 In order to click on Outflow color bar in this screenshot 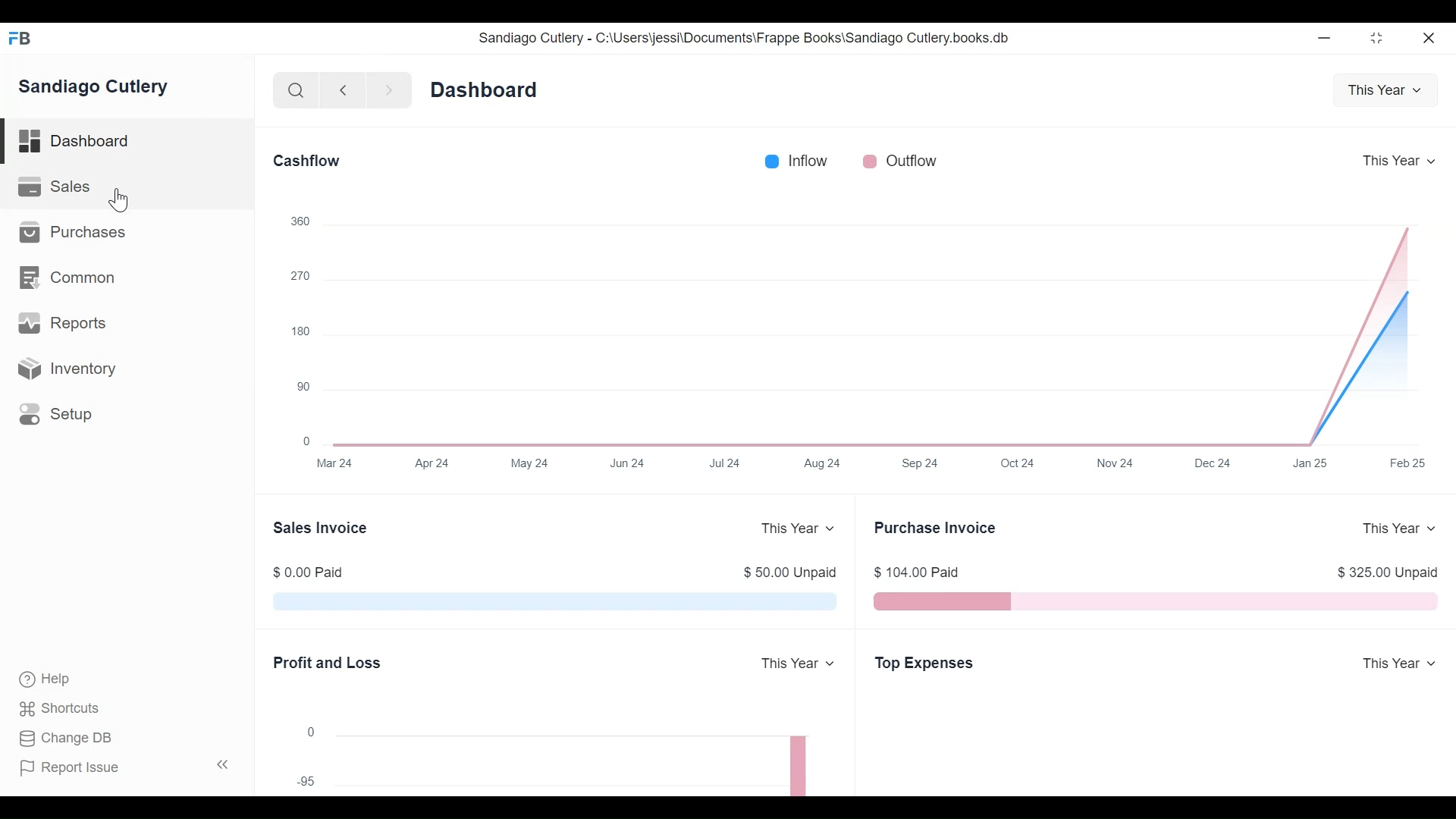, I will do `click(870, 161)`.